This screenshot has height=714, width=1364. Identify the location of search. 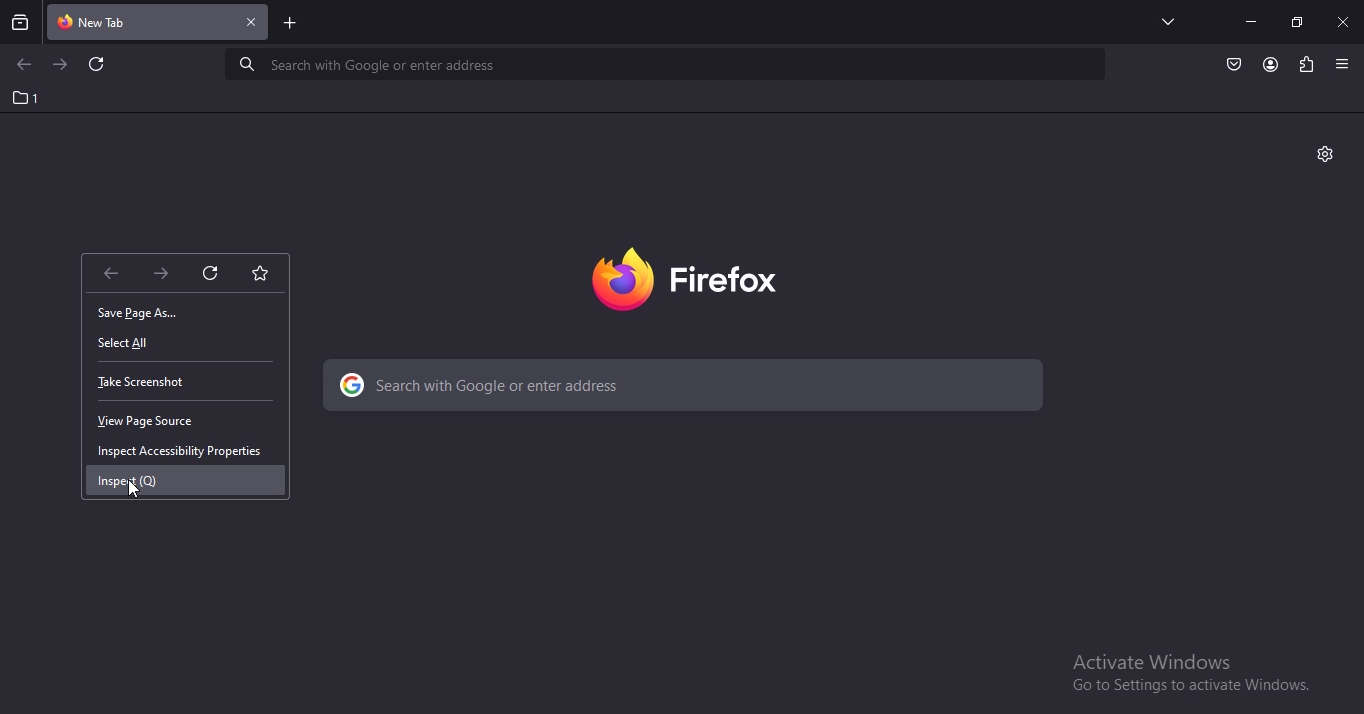
(688, 386).